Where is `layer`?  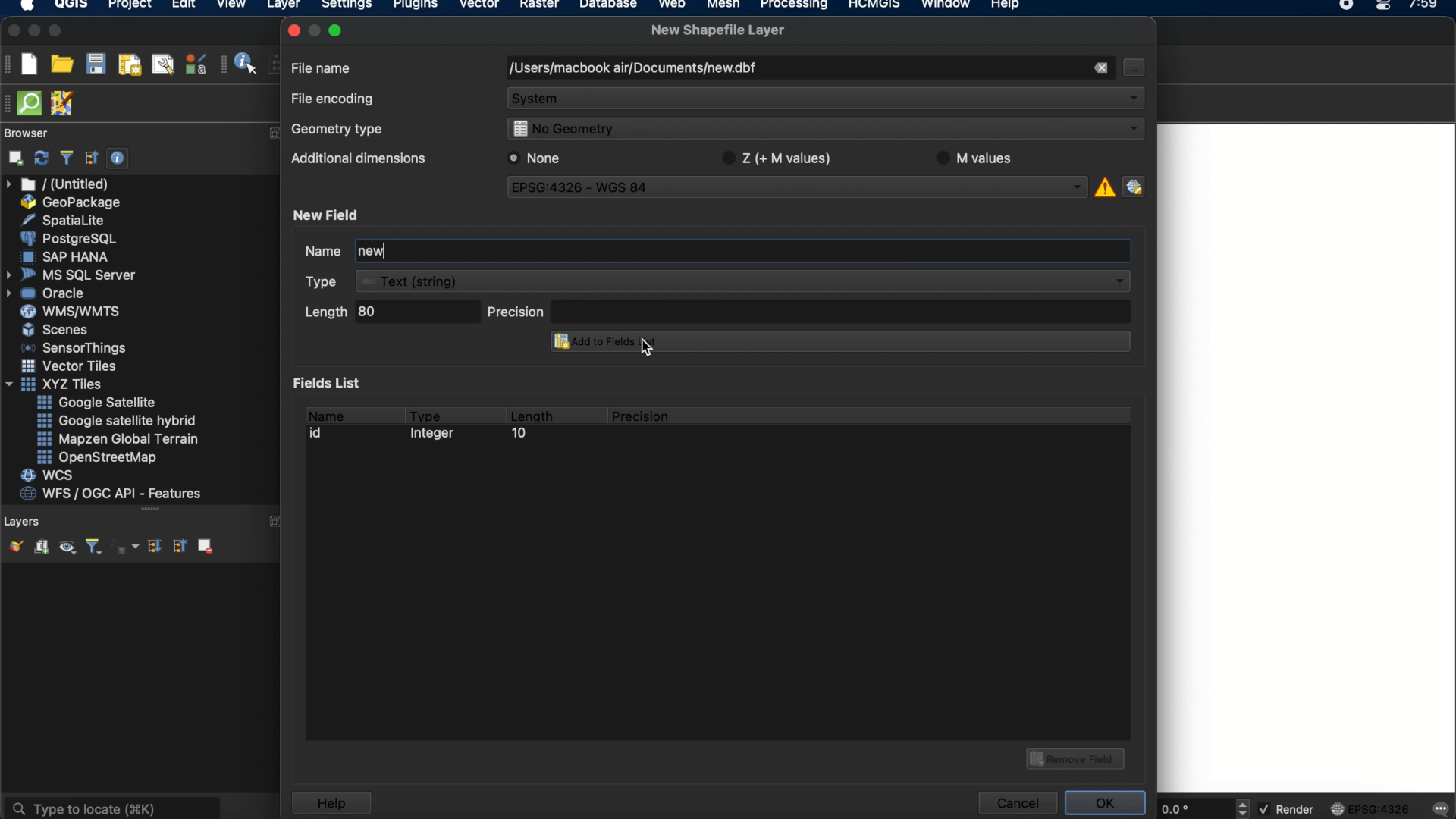
layer is located at coordinates (284, 8).